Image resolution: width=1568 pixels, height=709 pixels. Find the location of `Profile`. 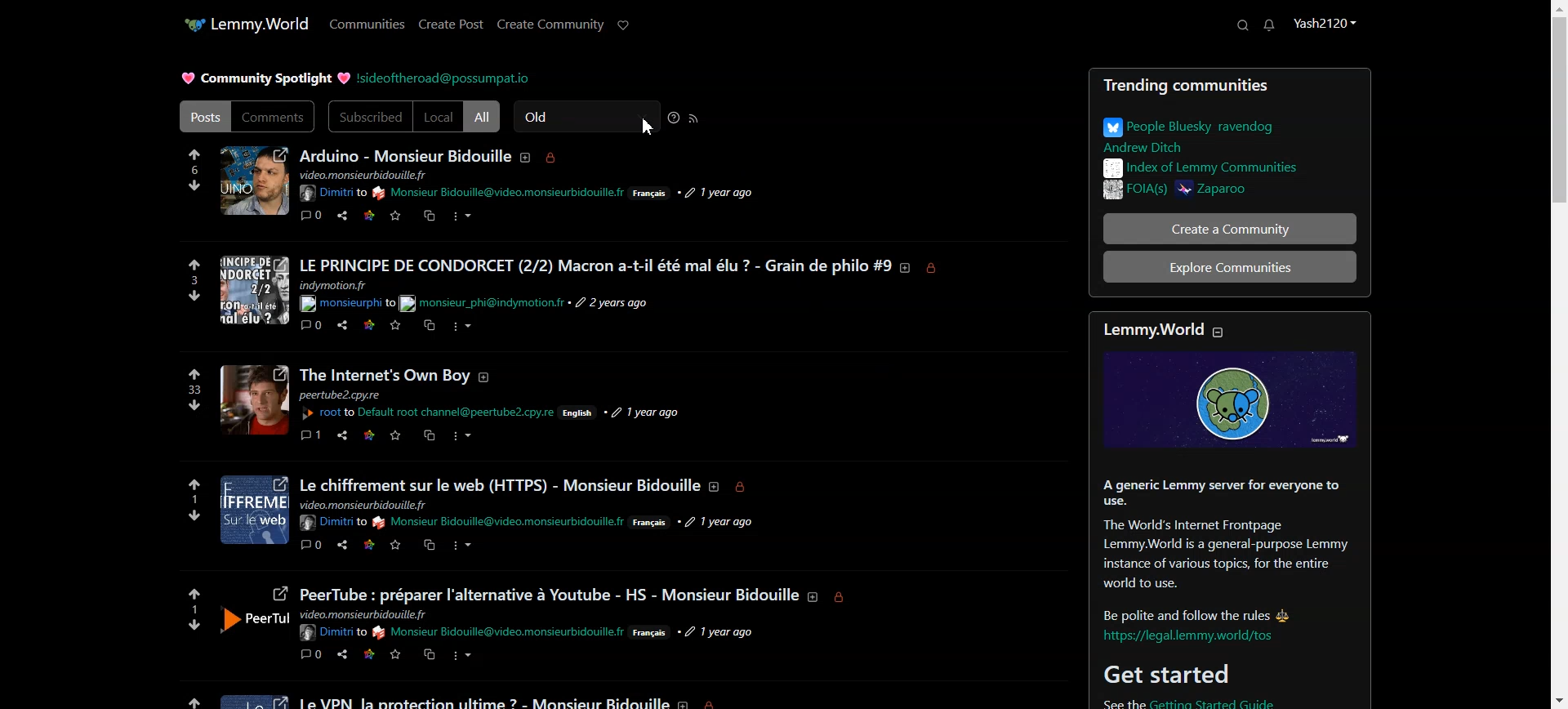

Profile is located at coordinates (1325, 25).